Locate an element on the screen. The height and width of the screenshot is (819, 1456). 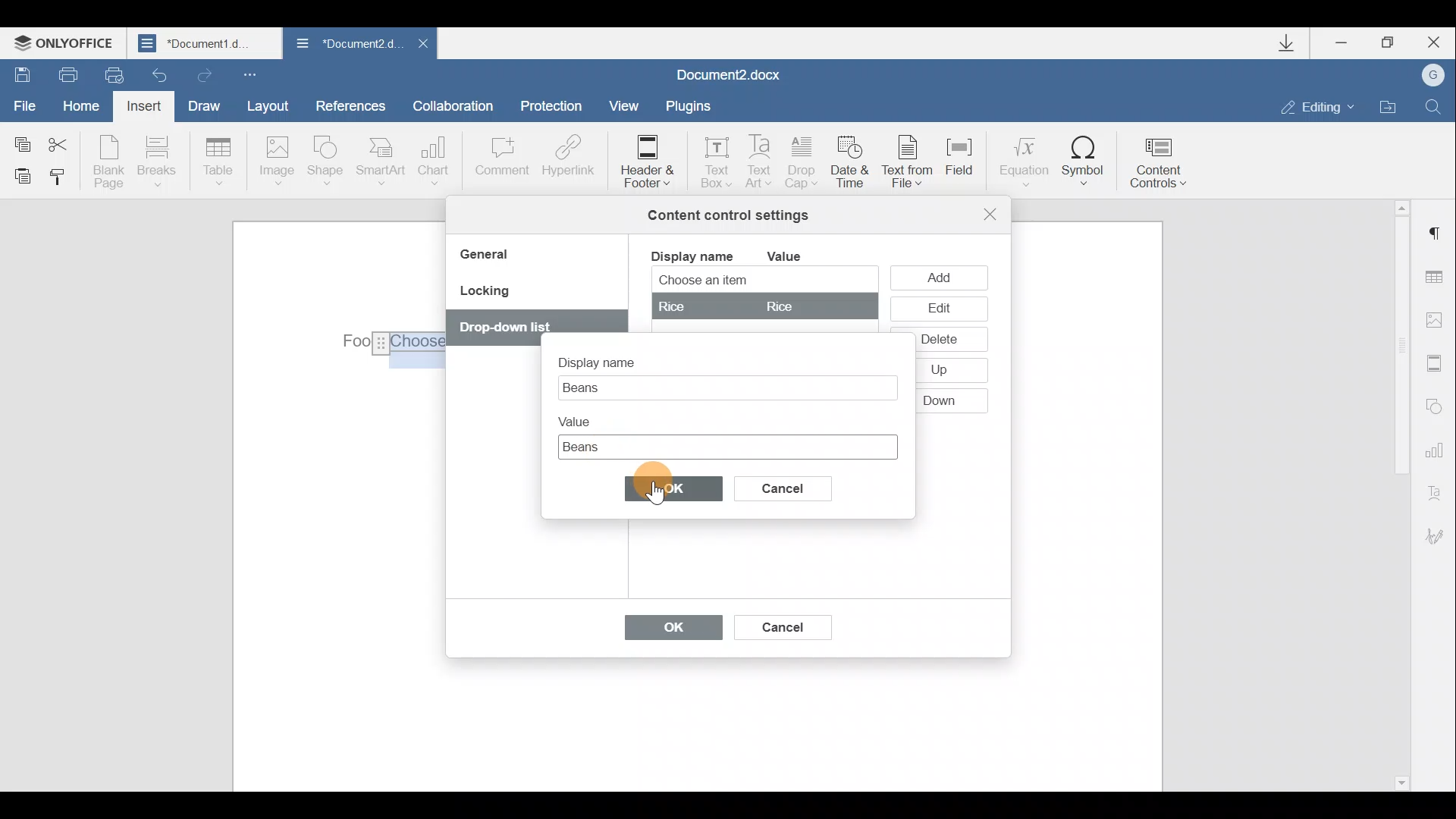
 is located at coordinates (942, 400).